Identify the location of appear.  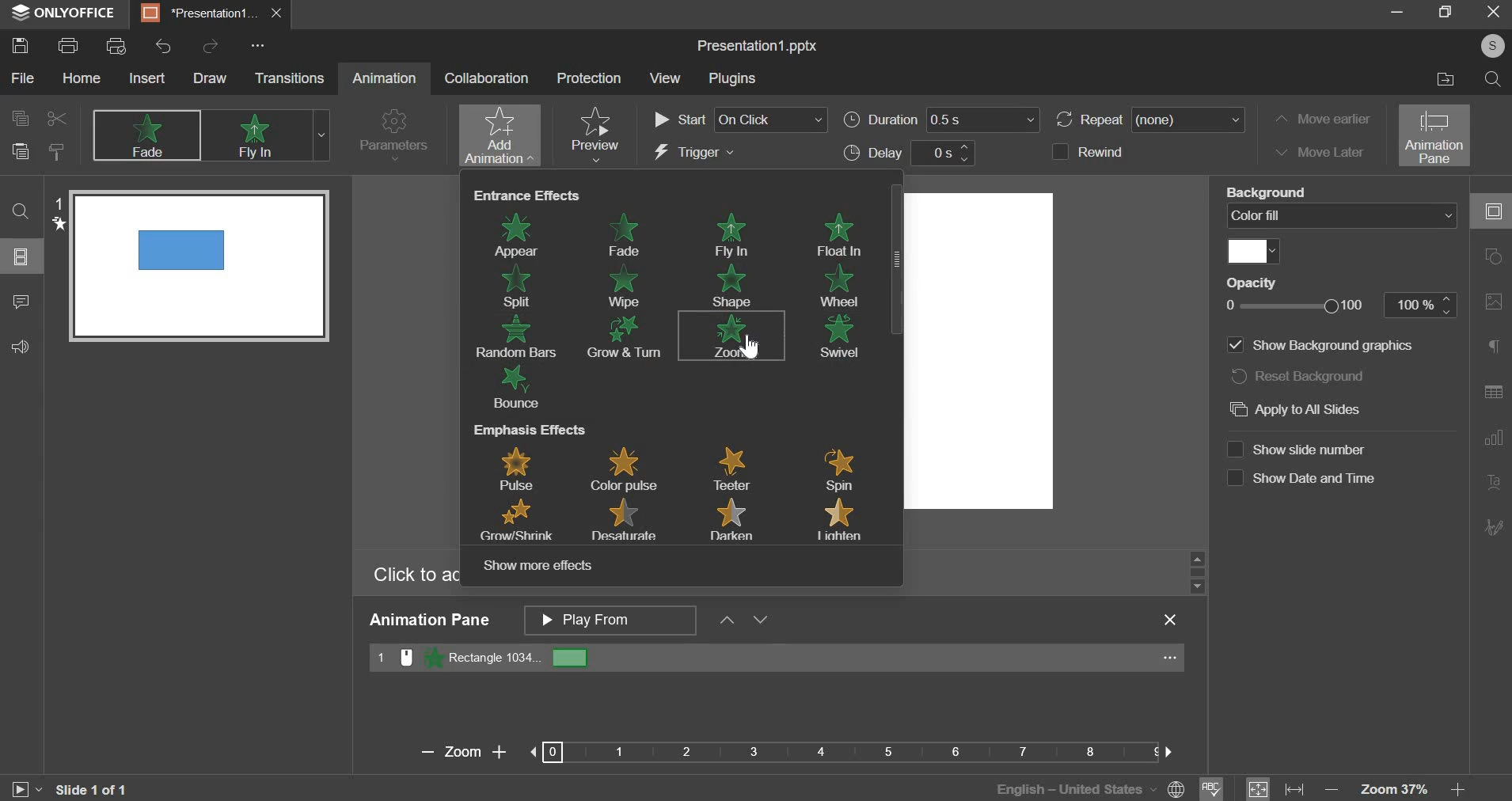
(520, 237).